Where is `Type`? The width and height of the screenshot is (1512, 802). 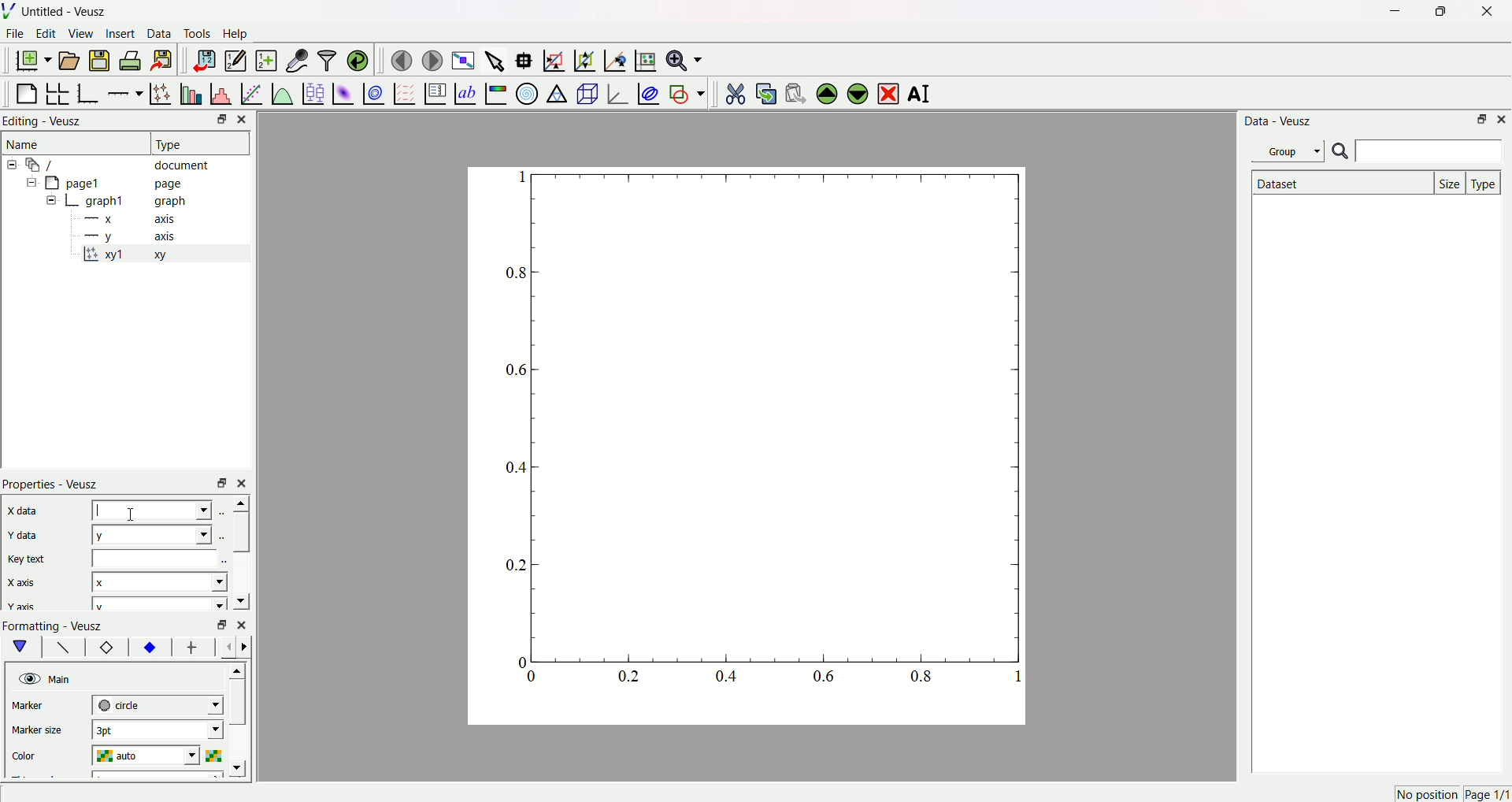 Type is located at coordinates (193, 143).